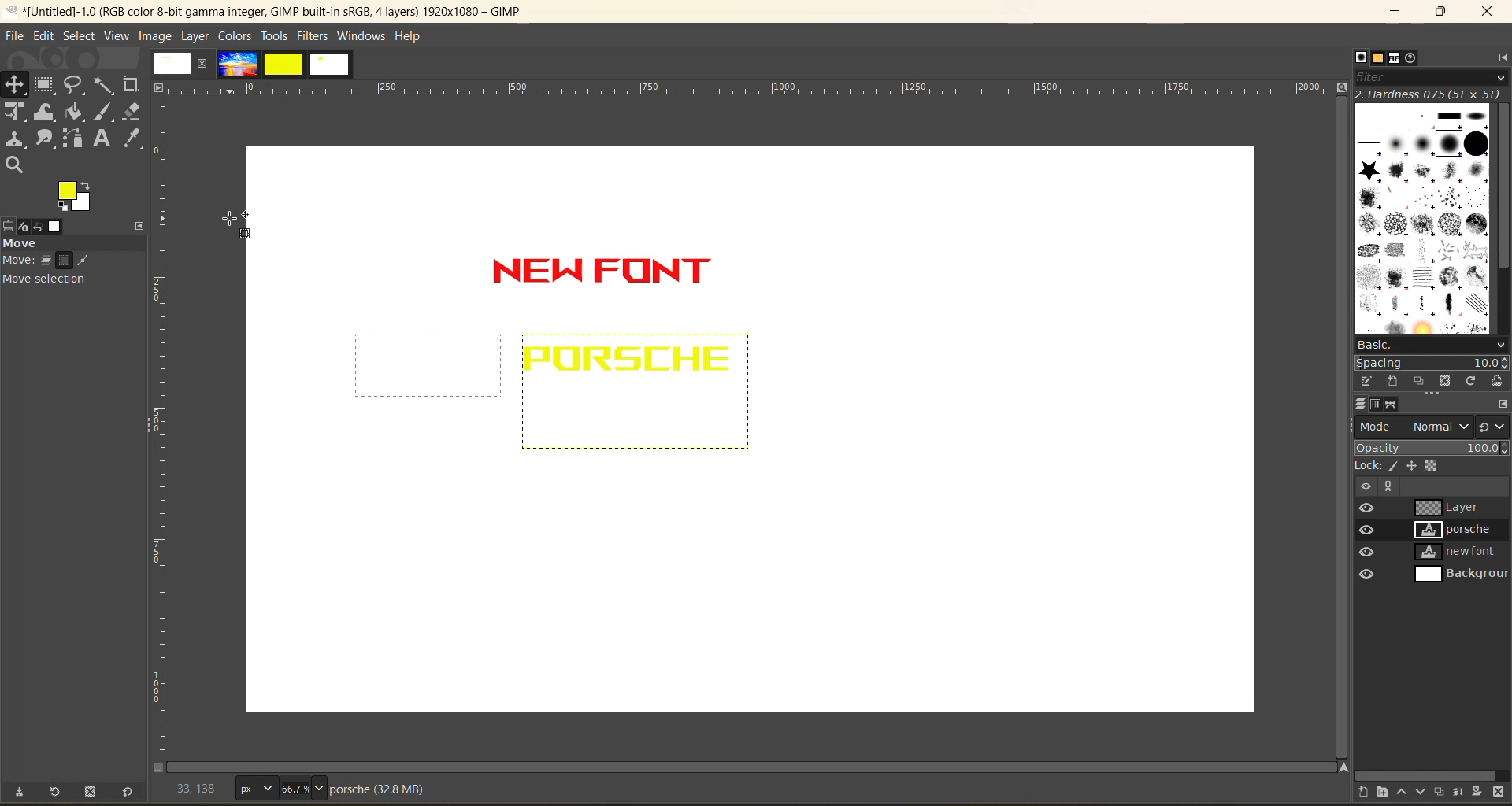 This screenshot has width=1512, height=806. What do you see at coordinates (235, 37) in the screenshot?
I see `colors` at bounding box center [235, 37].